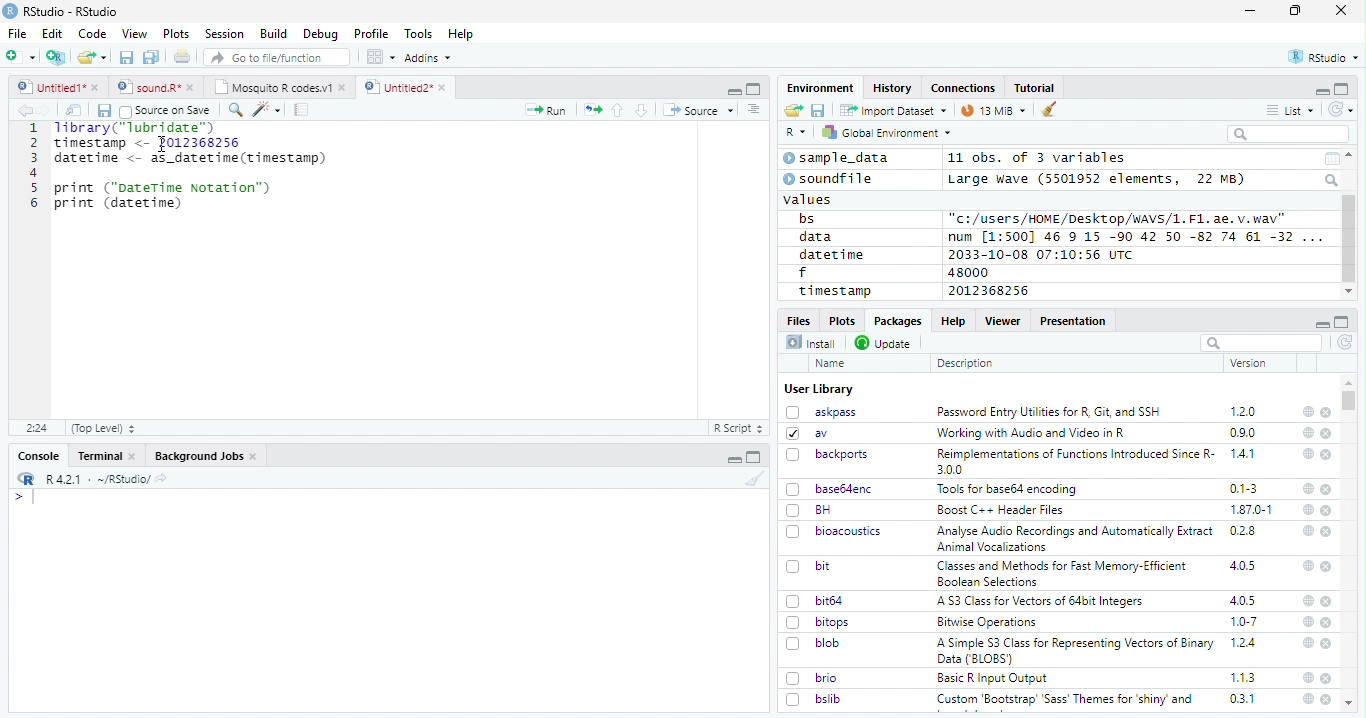 This screenshot has height=718, width=1366. What do you see at coordinates (25, 109) in the screenshot?
I see `go backward` at bounding box center [25, 109].